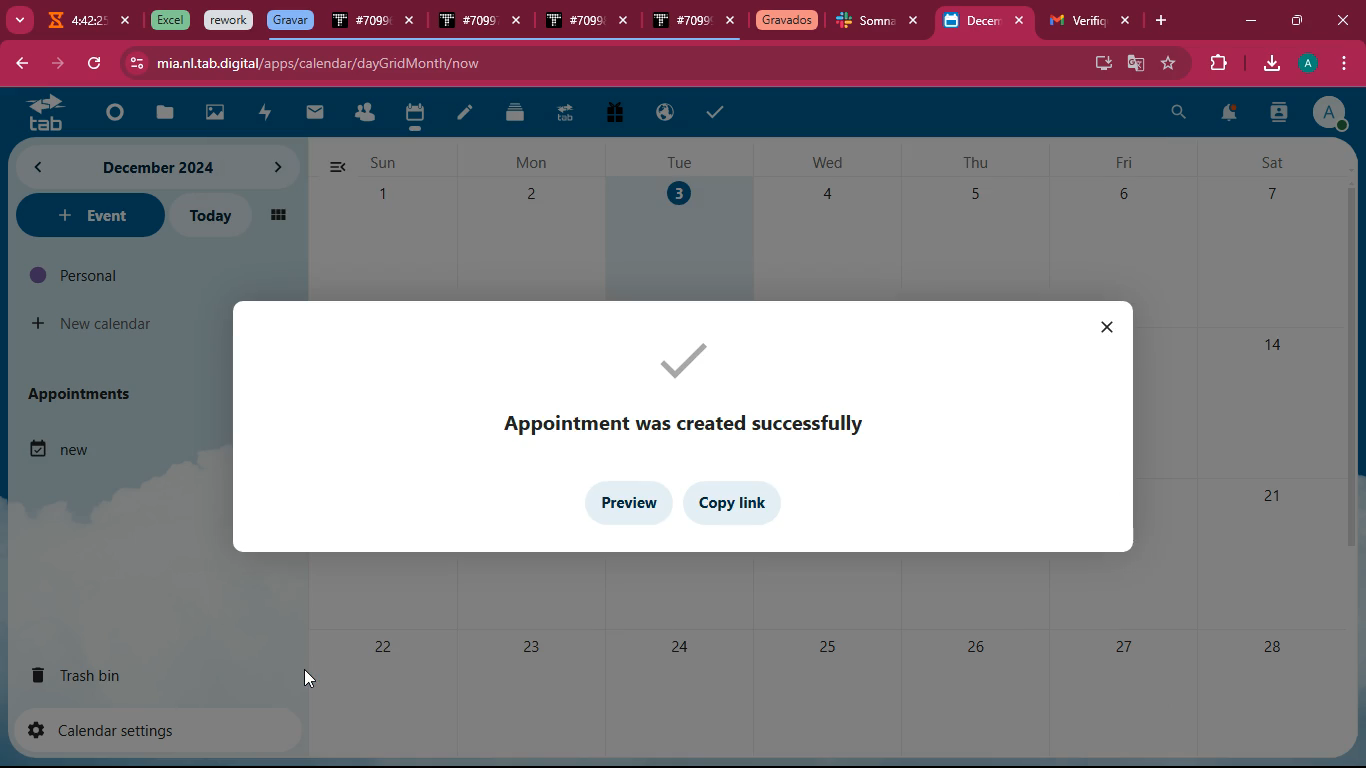 This screenshot has height=768, width=1366. Describe the element at coordinates (628, 505) in the screenshot. I see `preview ` at that location.